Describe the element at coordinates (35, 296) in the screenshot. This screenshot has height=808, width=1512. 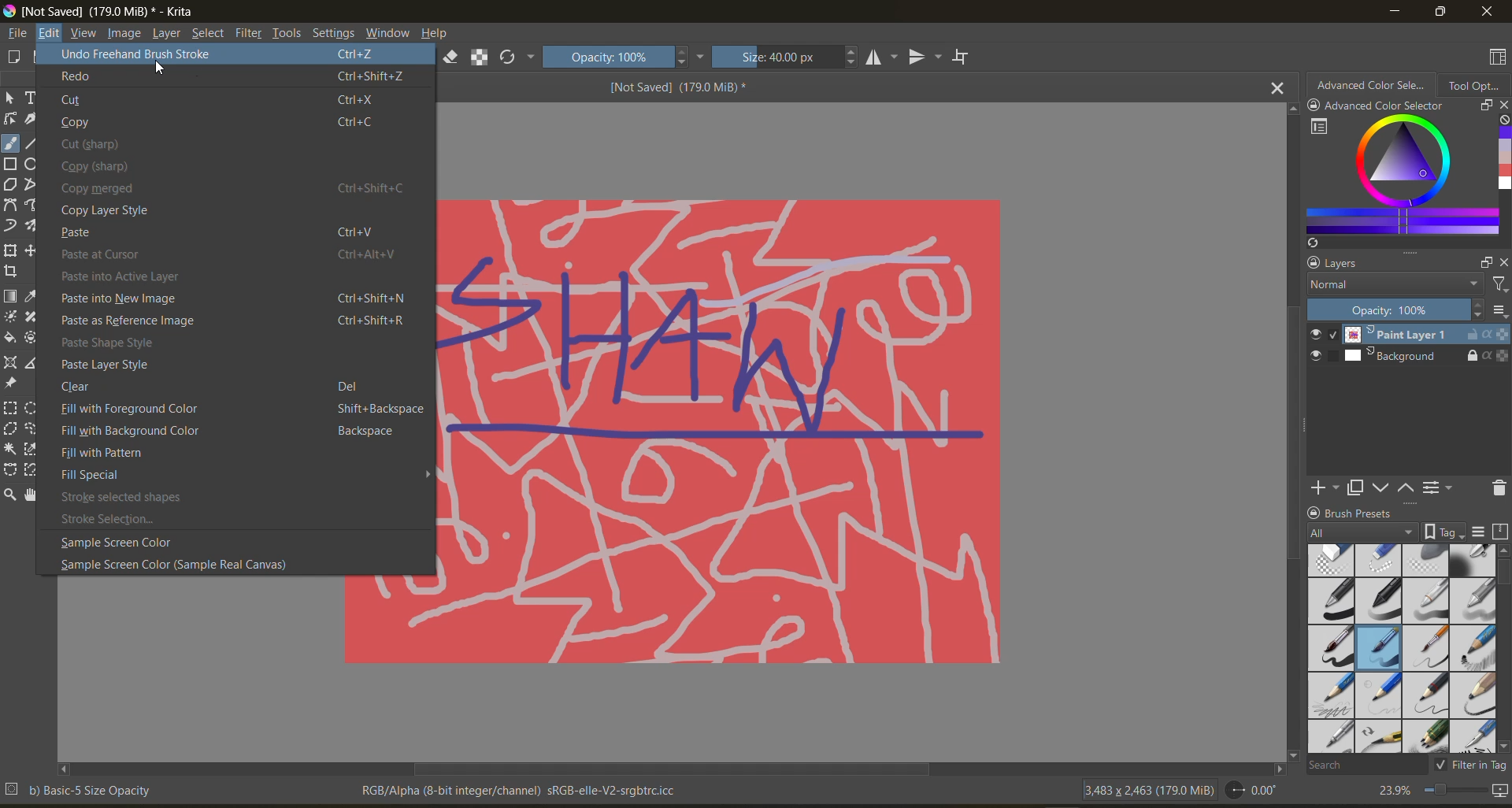
I see `Eyedropper color sample tool` at that location.